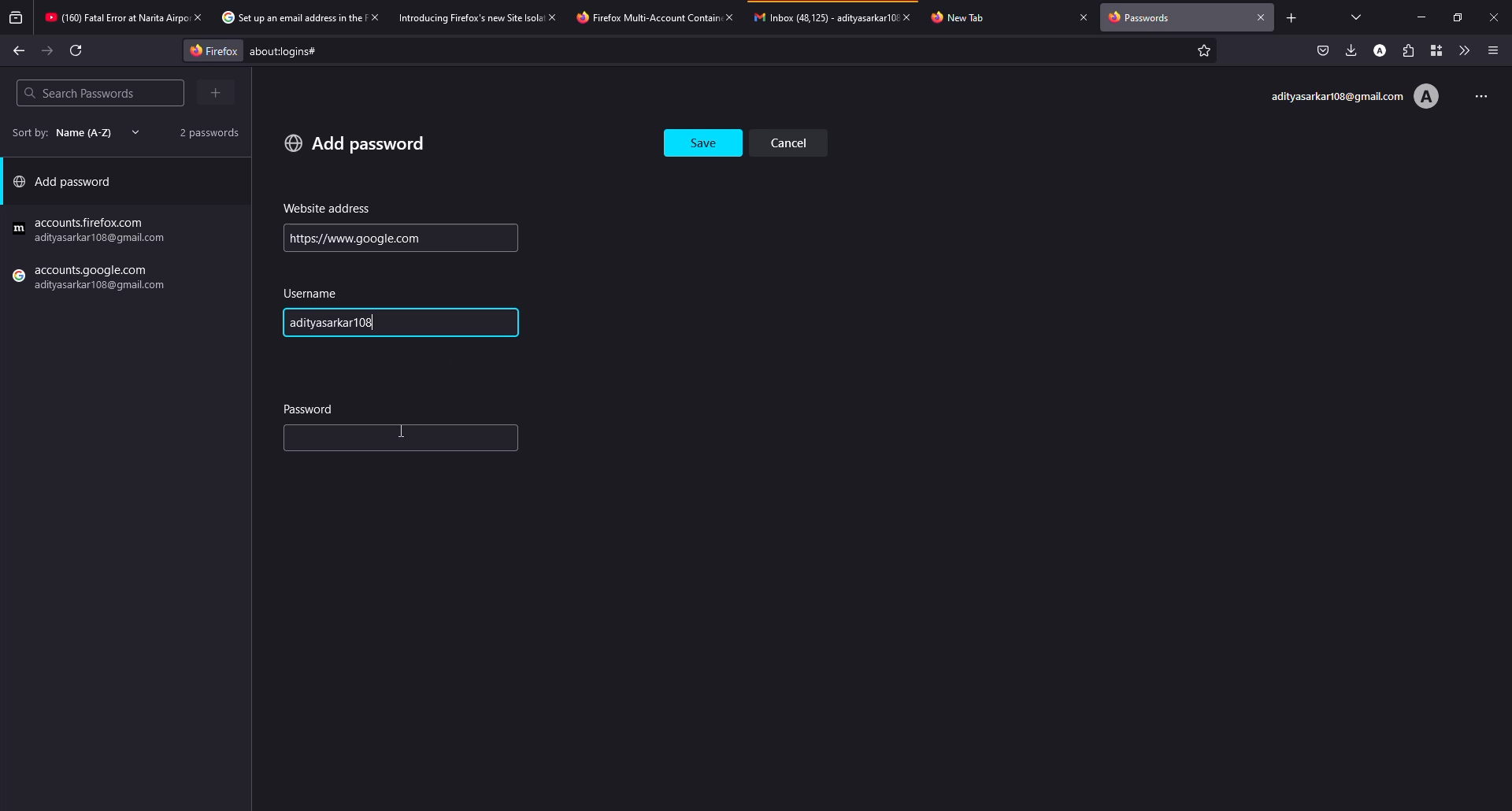  I want to click on www.google.com, so click(354, 238).